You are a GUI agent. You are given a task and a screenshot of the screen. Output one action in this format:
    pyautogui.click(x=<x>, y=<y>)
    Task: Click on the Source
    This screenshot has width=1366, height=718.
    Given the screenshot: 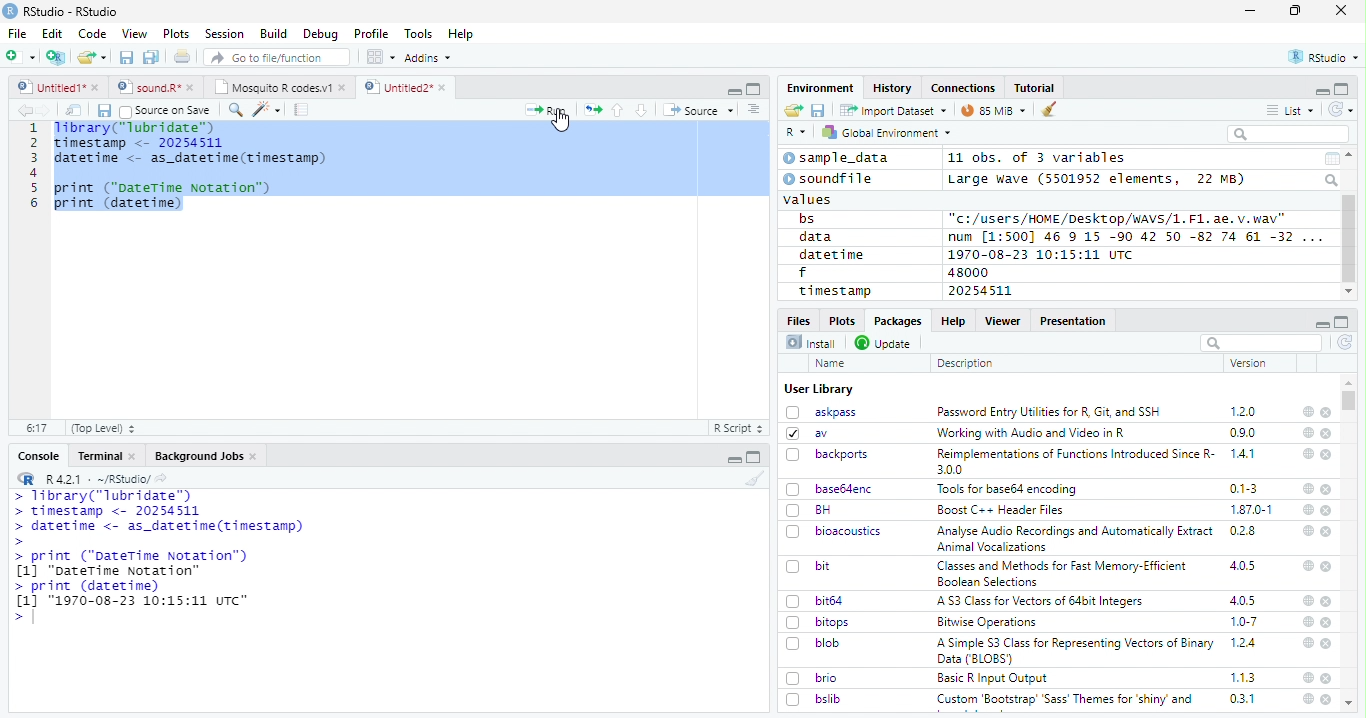 What is the action you would take?
    pyautogui.click(x=698, y=112)
    